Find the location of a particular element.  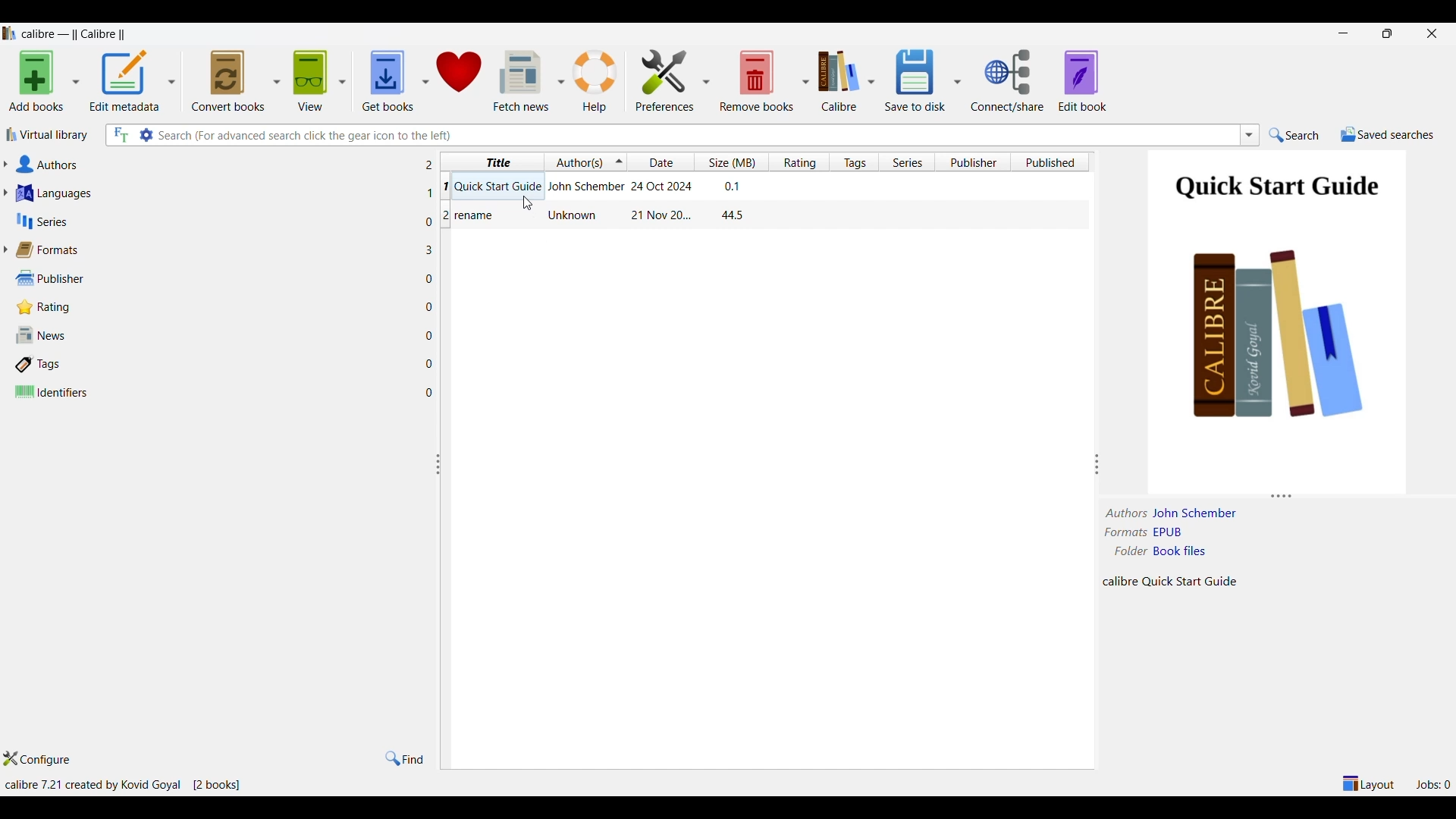

Formats is located at coordinates (217, 250).